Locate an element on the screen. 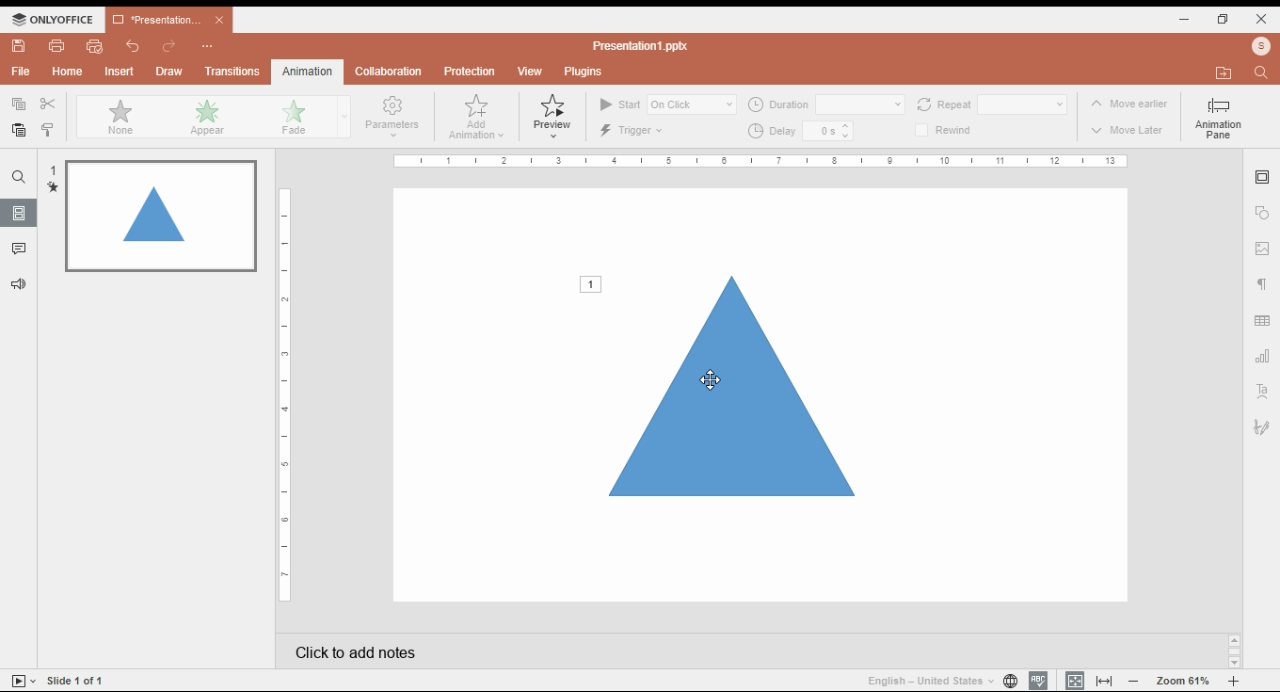  undo is located at coordinates (132, 47).